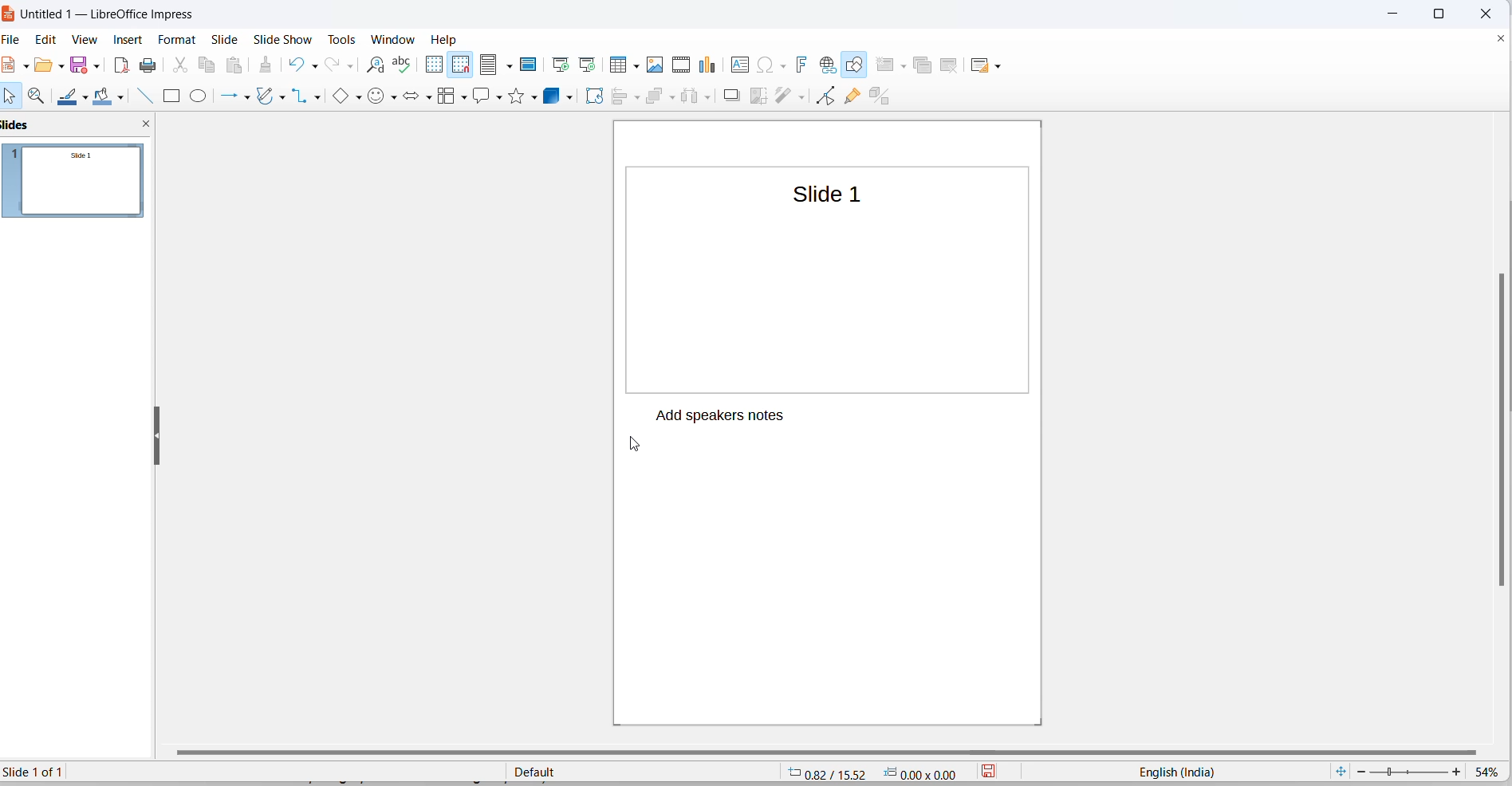 This screenshot has height=786, width=1512. I want to click on flowchart options, so click(460, 101).